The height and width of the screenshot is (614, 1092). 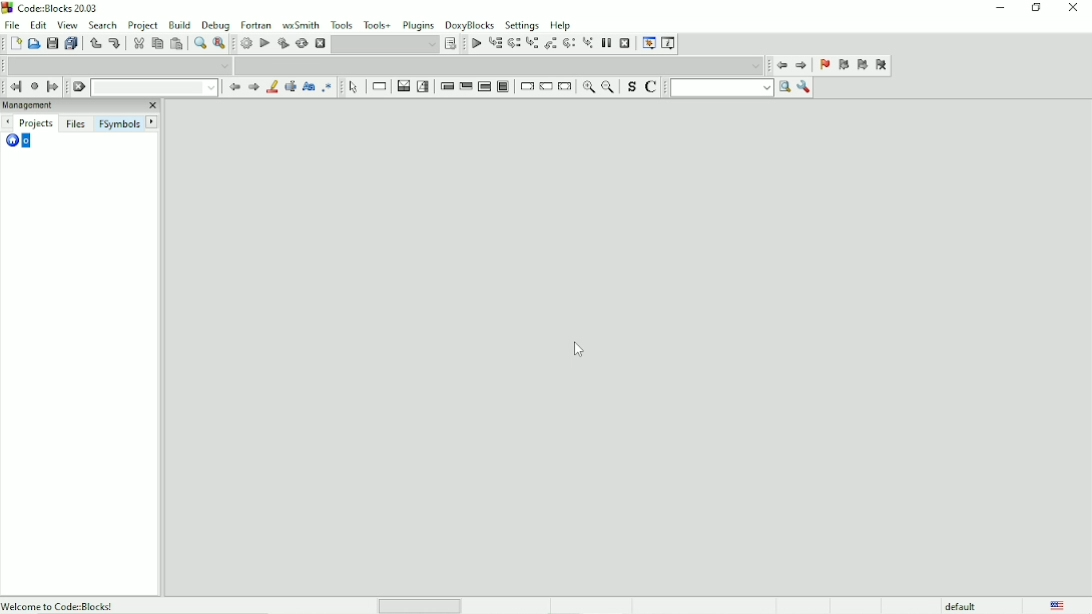 What do you see at coordinates (51, 8) in the screenshot?
I see `Code::Blocks 20.03` at bounding box center [51, 8].